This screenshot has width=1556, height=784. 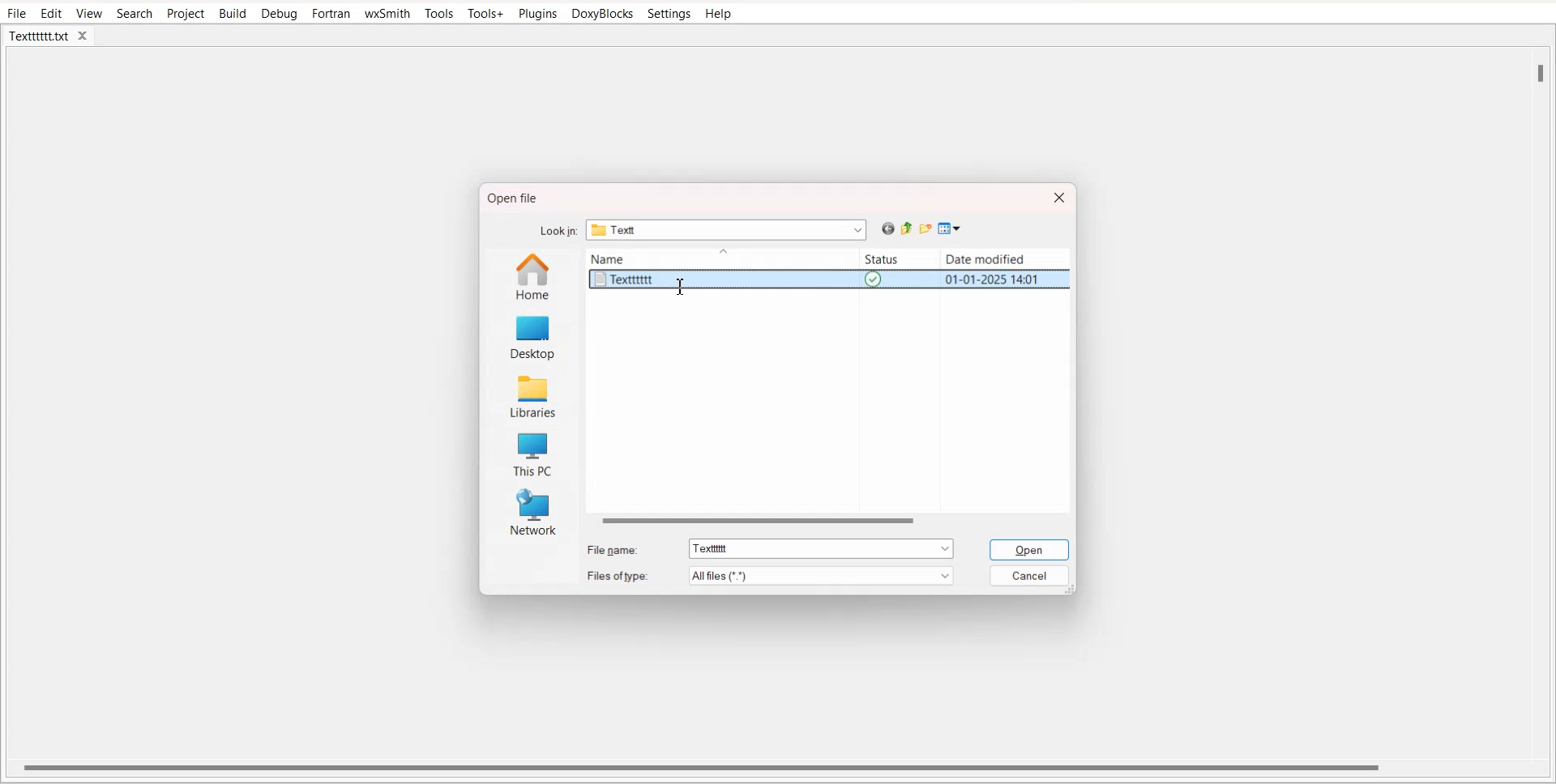 What do you see at coordinates (987, 257) in the screenshot?
I see `Date modified` at bounding box center [987, 257].